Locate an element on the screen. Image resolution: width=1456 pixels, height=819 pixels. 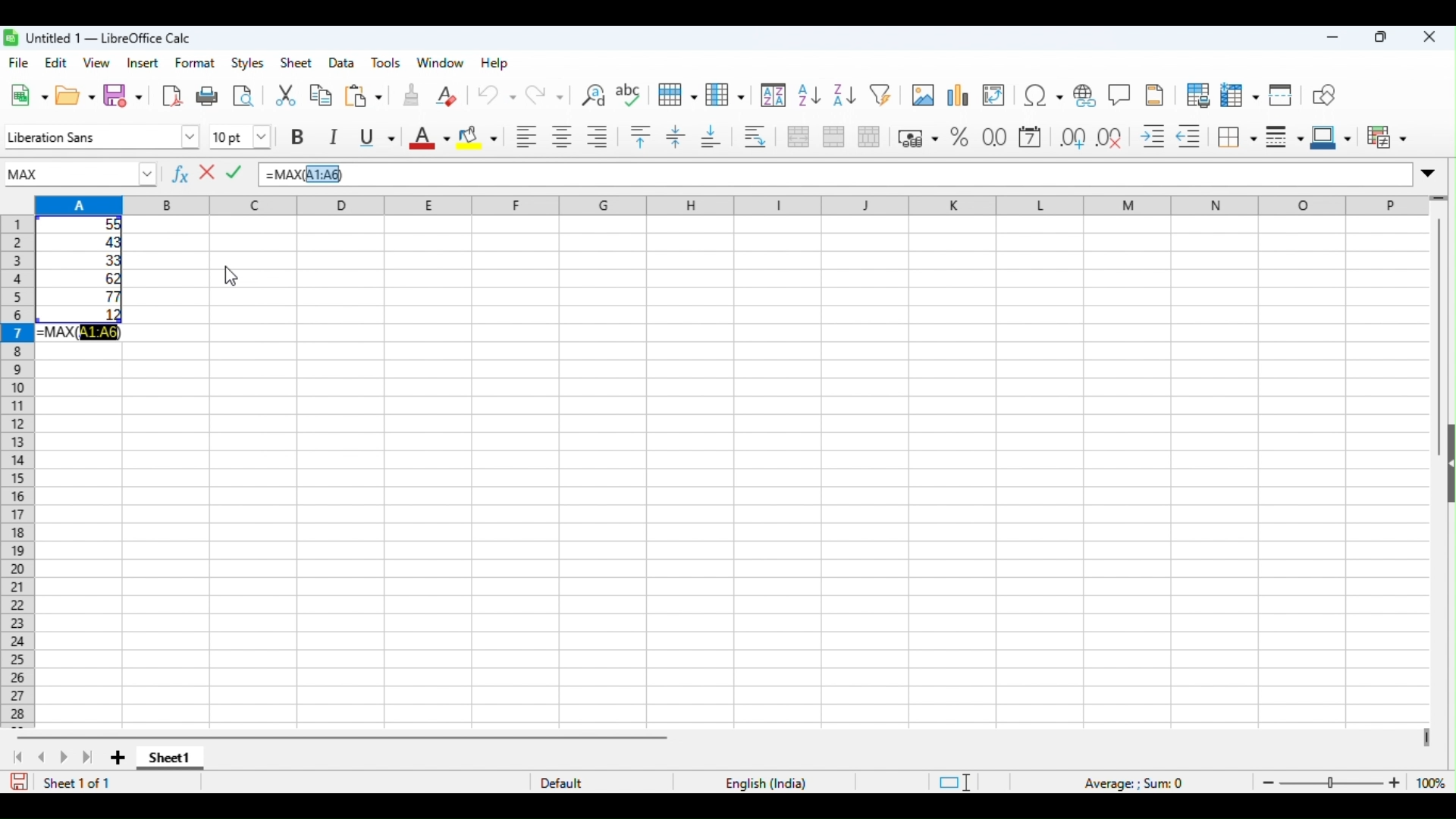
expand is located at coordinates (1432, 173).